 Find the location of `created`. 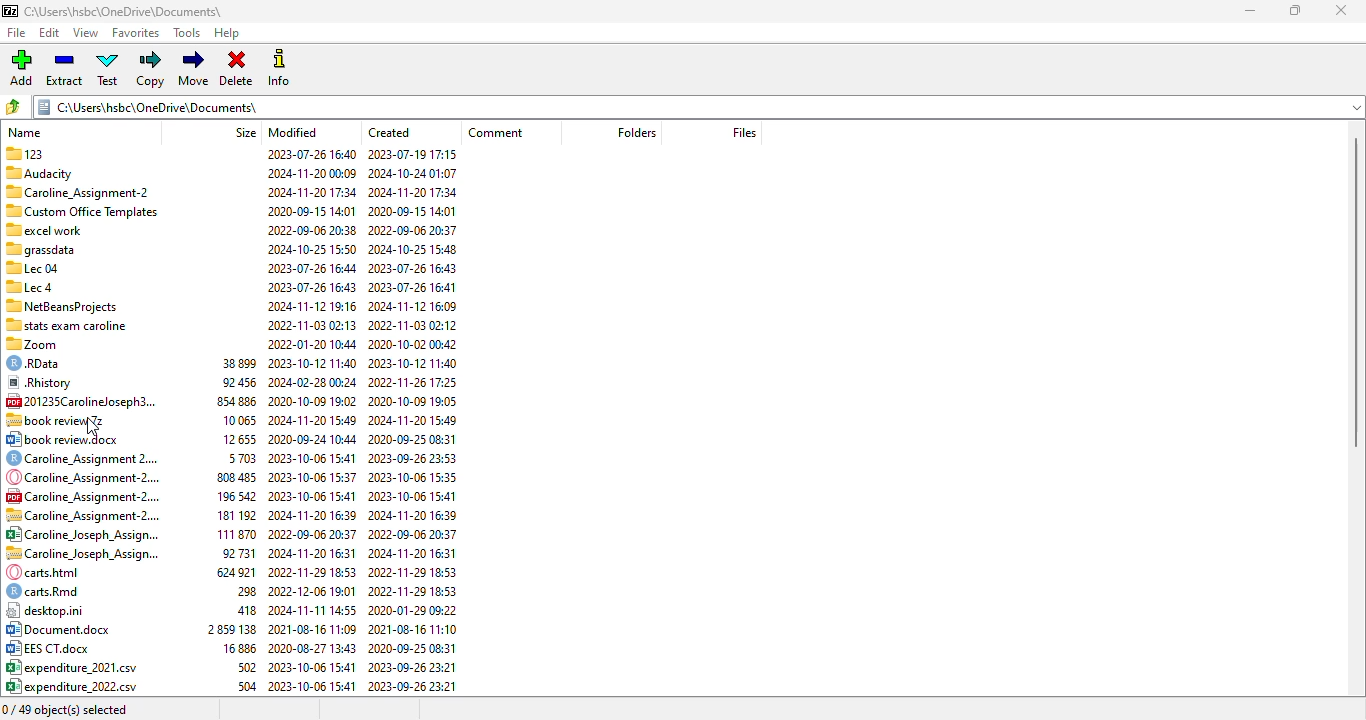

created is located at coordinates (389, 132).